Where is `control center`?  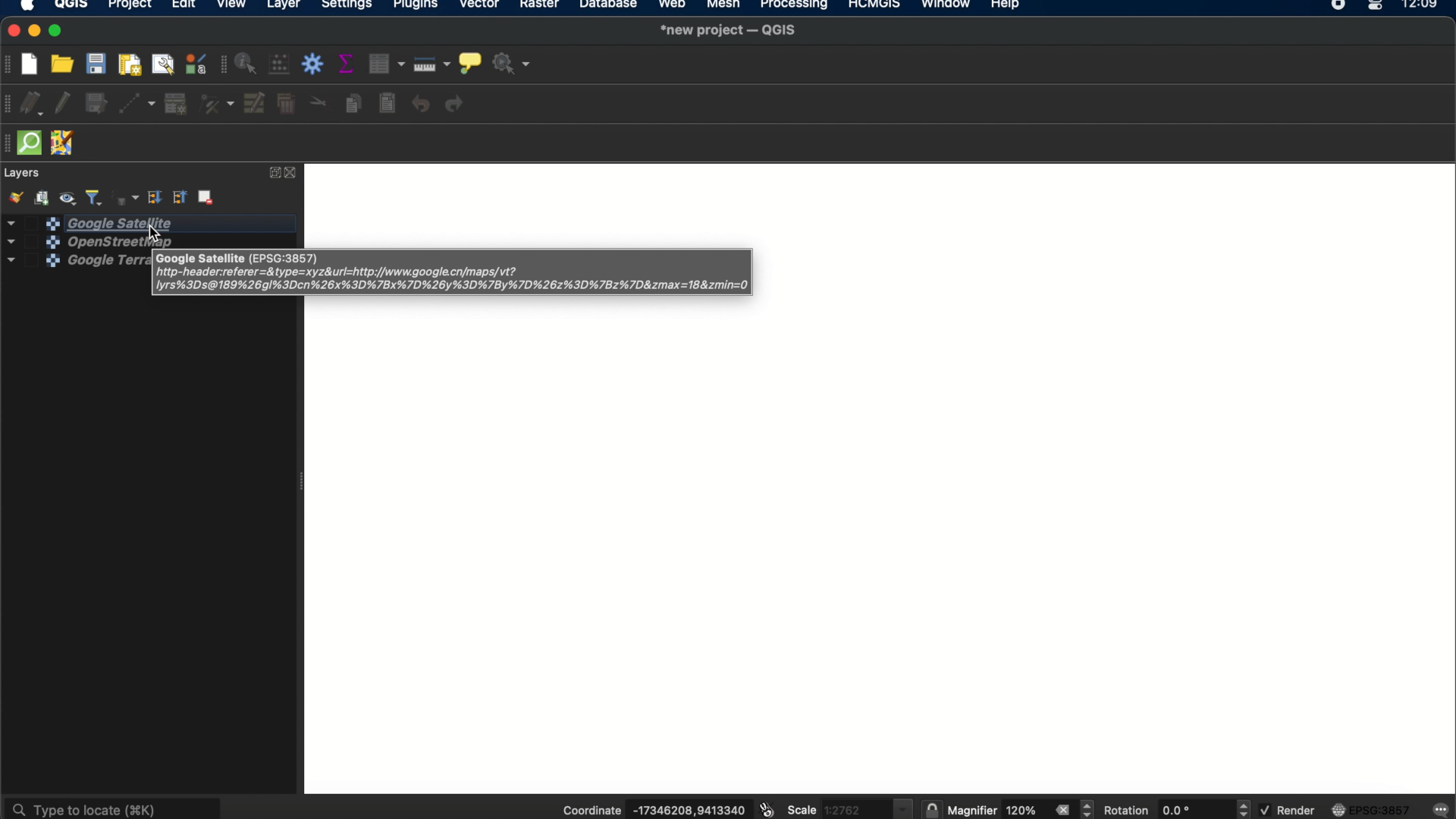
control center is located at coordinates (1377, 6).